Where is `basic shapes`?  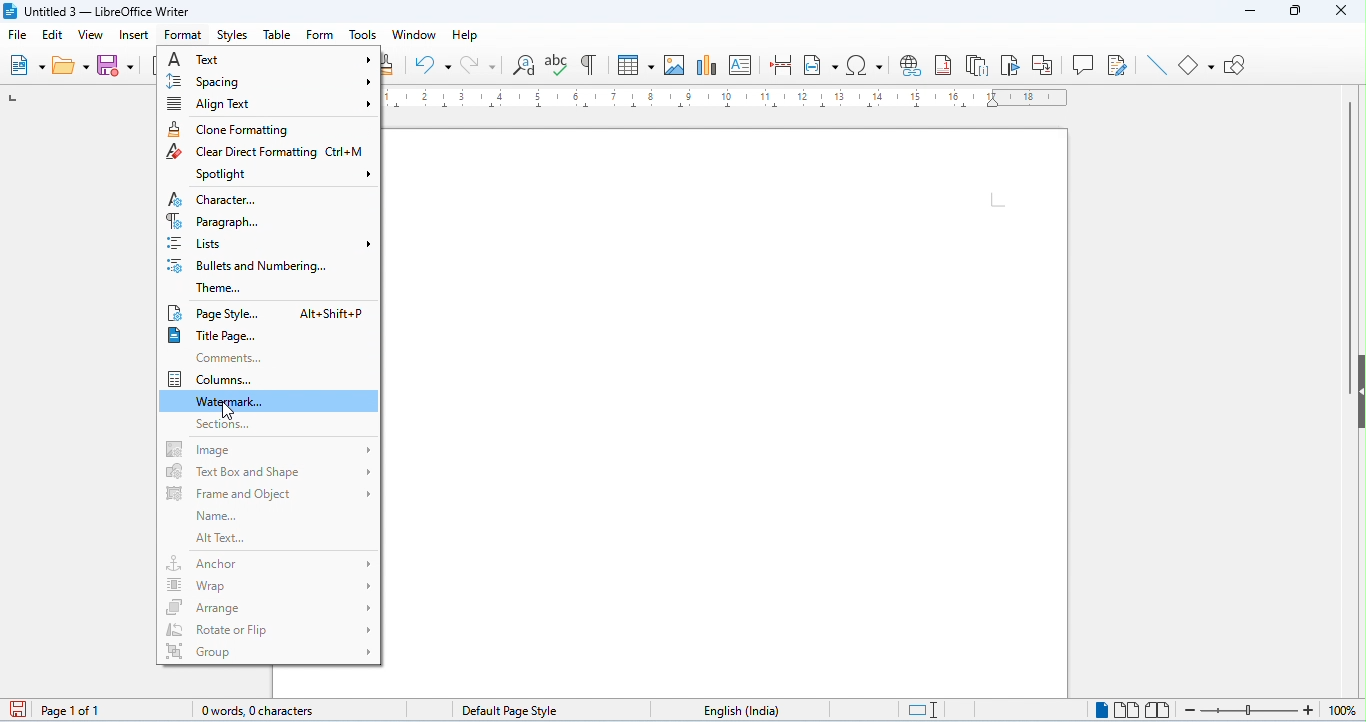
basic shapes is located at coordinates (1198, 66).